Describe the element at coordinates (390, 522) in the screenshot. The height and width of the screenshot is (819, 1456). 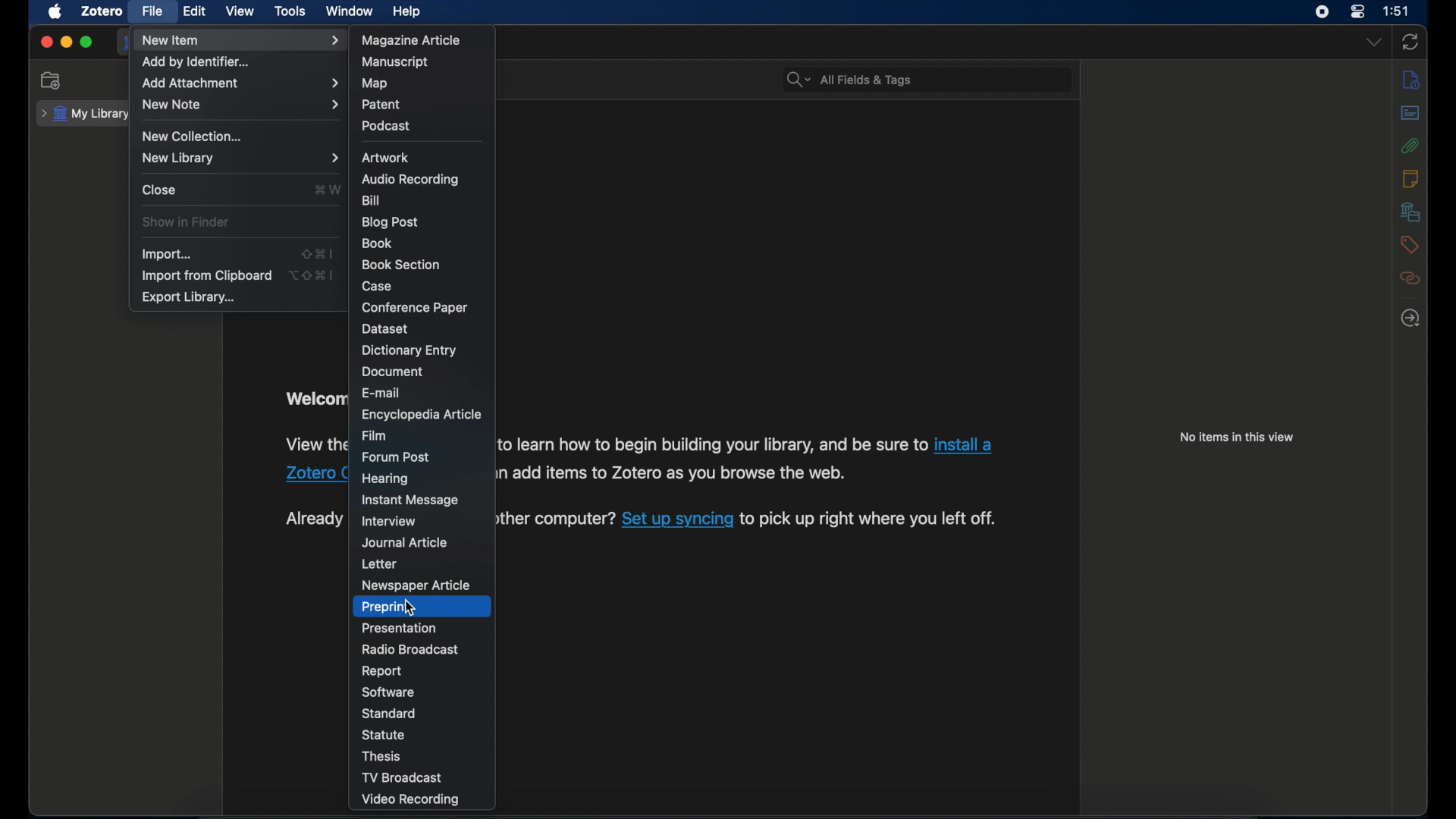
I see `interview` at that location.